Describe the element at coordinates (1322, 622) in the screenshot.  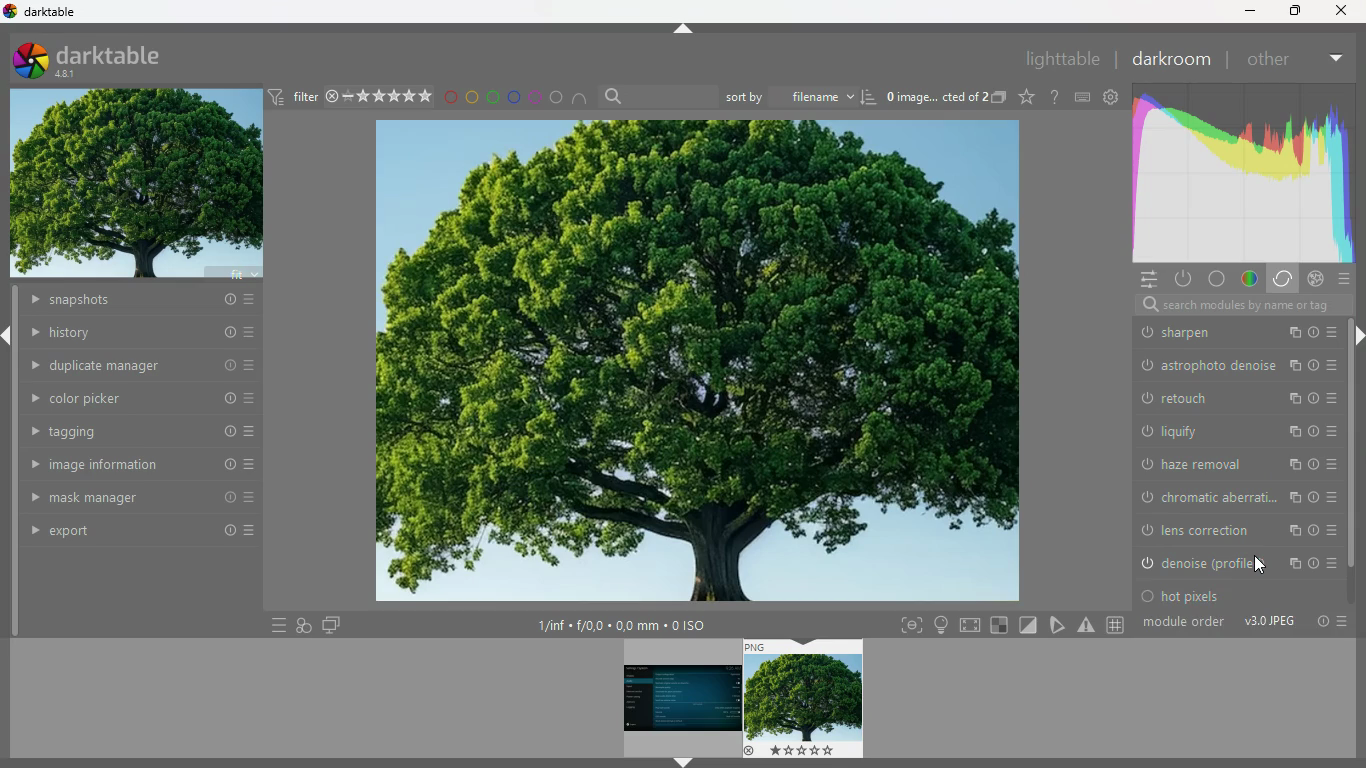
I see `info` at that location.